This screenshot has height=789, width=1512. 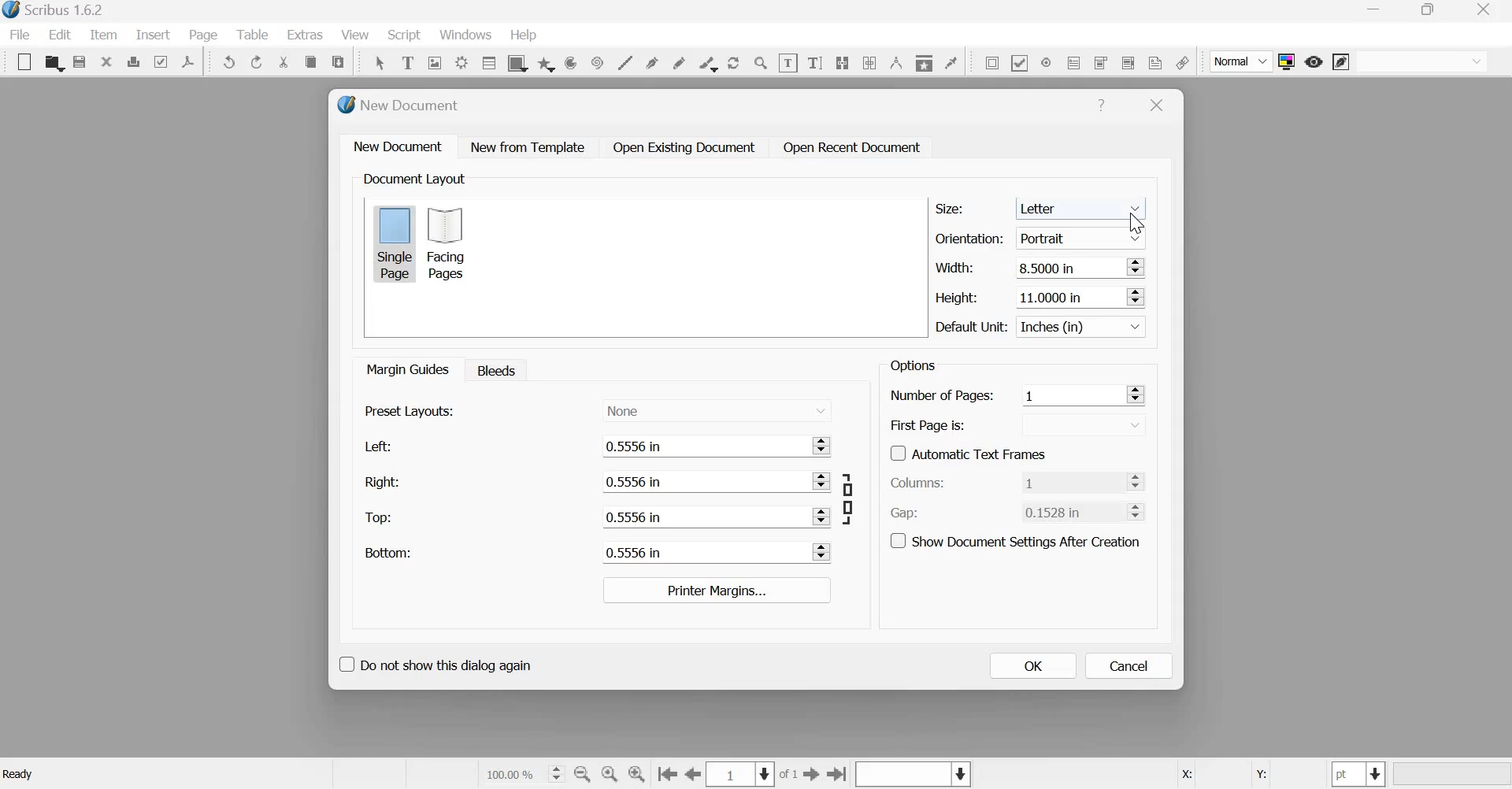 What do you see at coordinates (1341, 63) in the screenshot?
I see `edit in preview mode` at bounding box center [1341, 63].